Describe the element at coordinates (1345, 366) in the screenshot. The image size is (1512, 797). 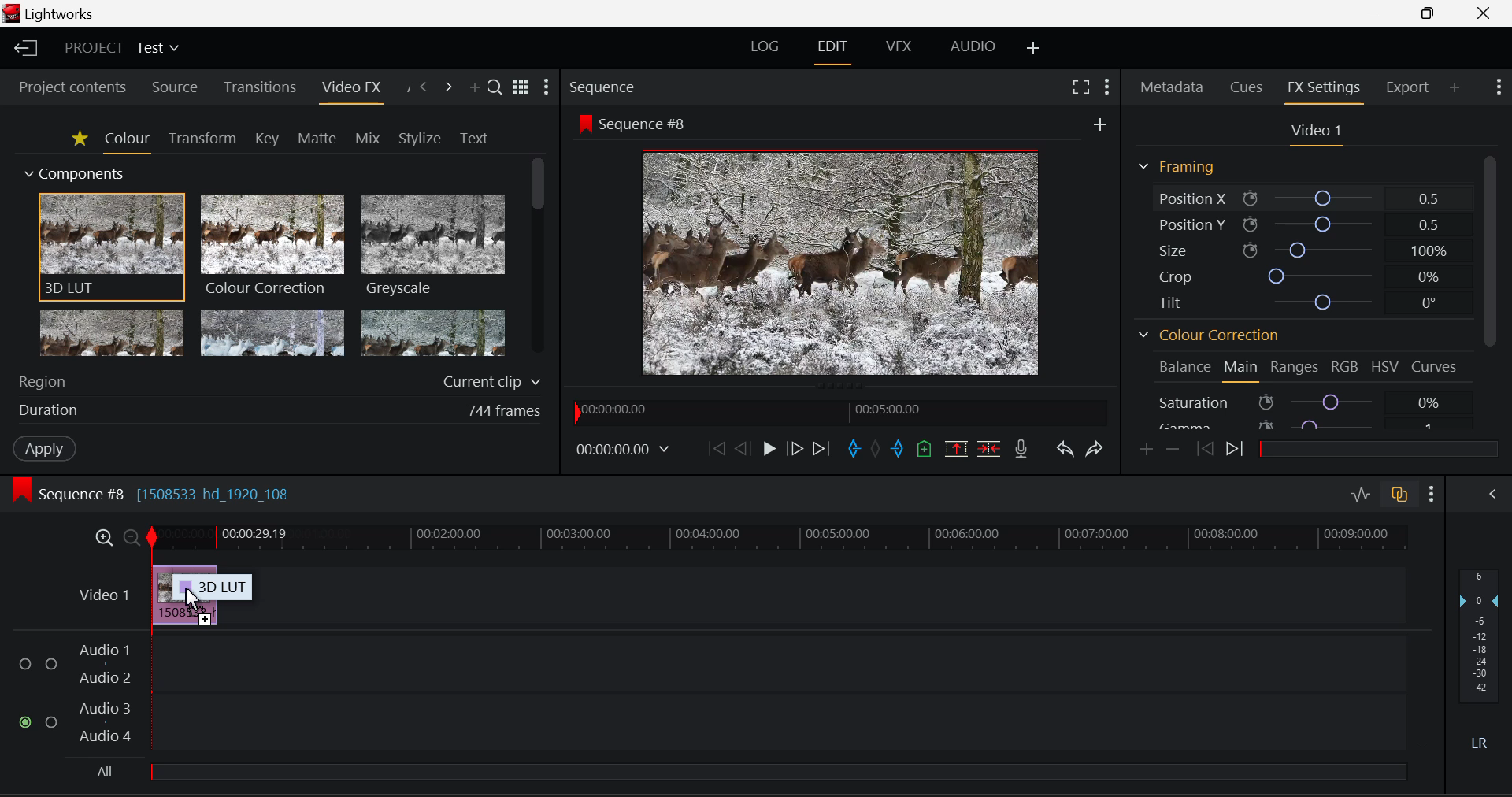
I see `RGB` at that location.